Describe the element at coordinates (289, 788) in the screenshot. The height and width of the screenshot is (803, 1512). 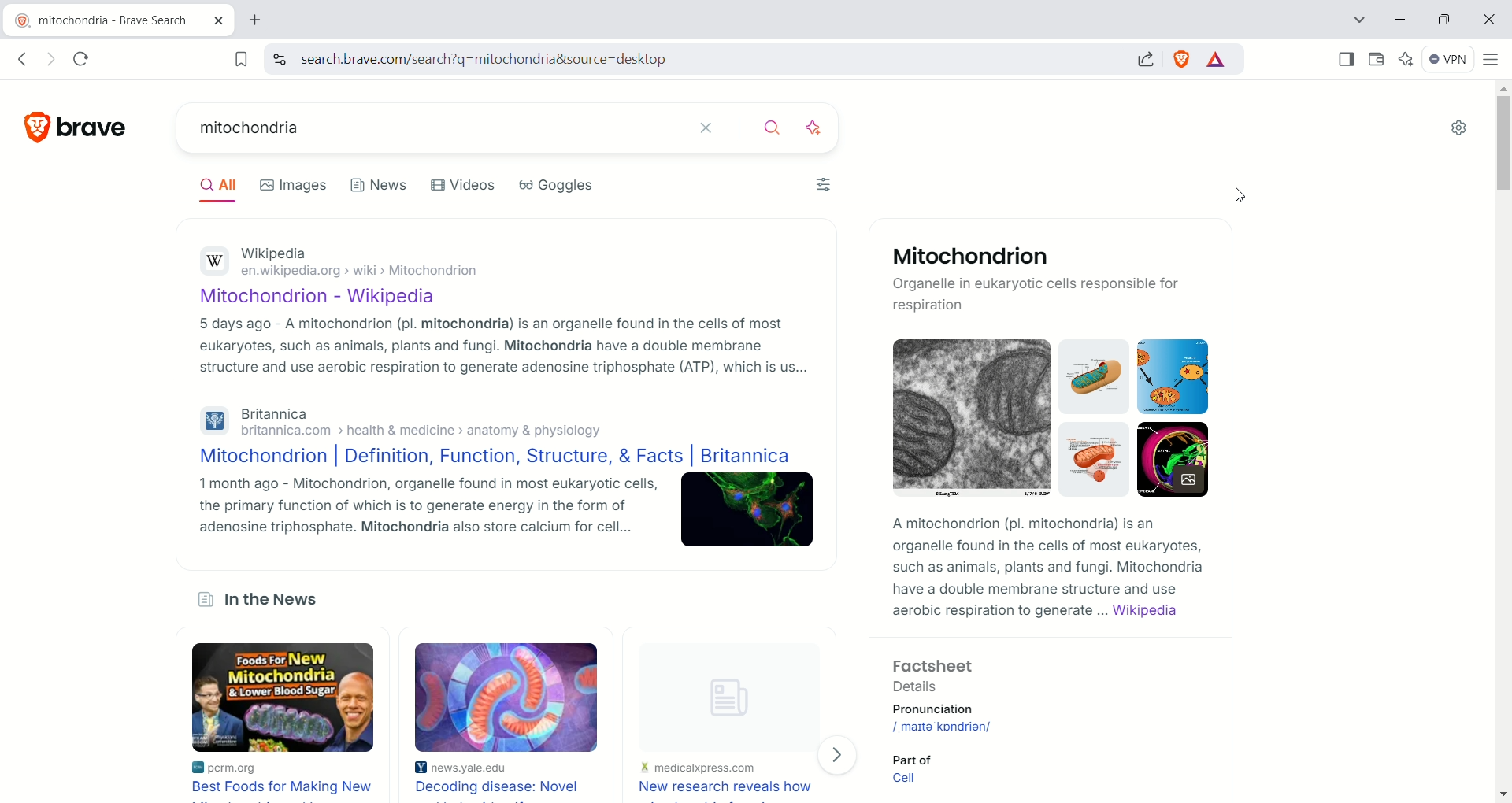
I see `Best food for making new` at that location.